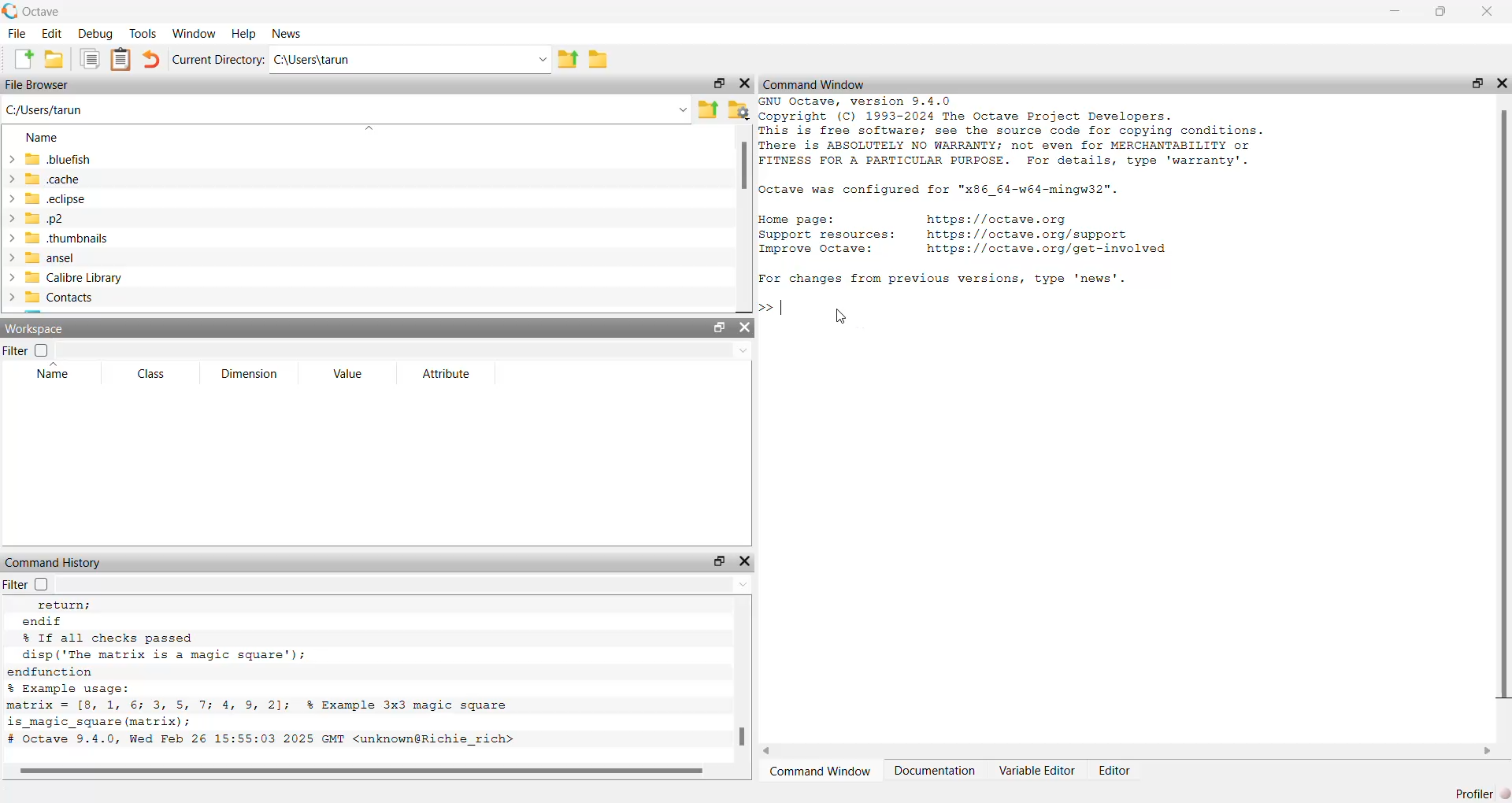 The height and width of the screenshot is (803, 1512). What do you see at coordinates (265, 673) in the screenshot?
I see `return;

endif

% If all checks passed

disp('The matrix is a magic square’);
endfunction
% Example usage:
matrix = [8, 1, 6; 3, 5, 7; 4, 9, 2]; % Example 3x3 magic square
is_magic_square (matrix);
# Octave 9.4.0, Wed Feb 26 15:55:03 2025 GMT <unknown@Richie_rich>` at bounding box center [265, 673].